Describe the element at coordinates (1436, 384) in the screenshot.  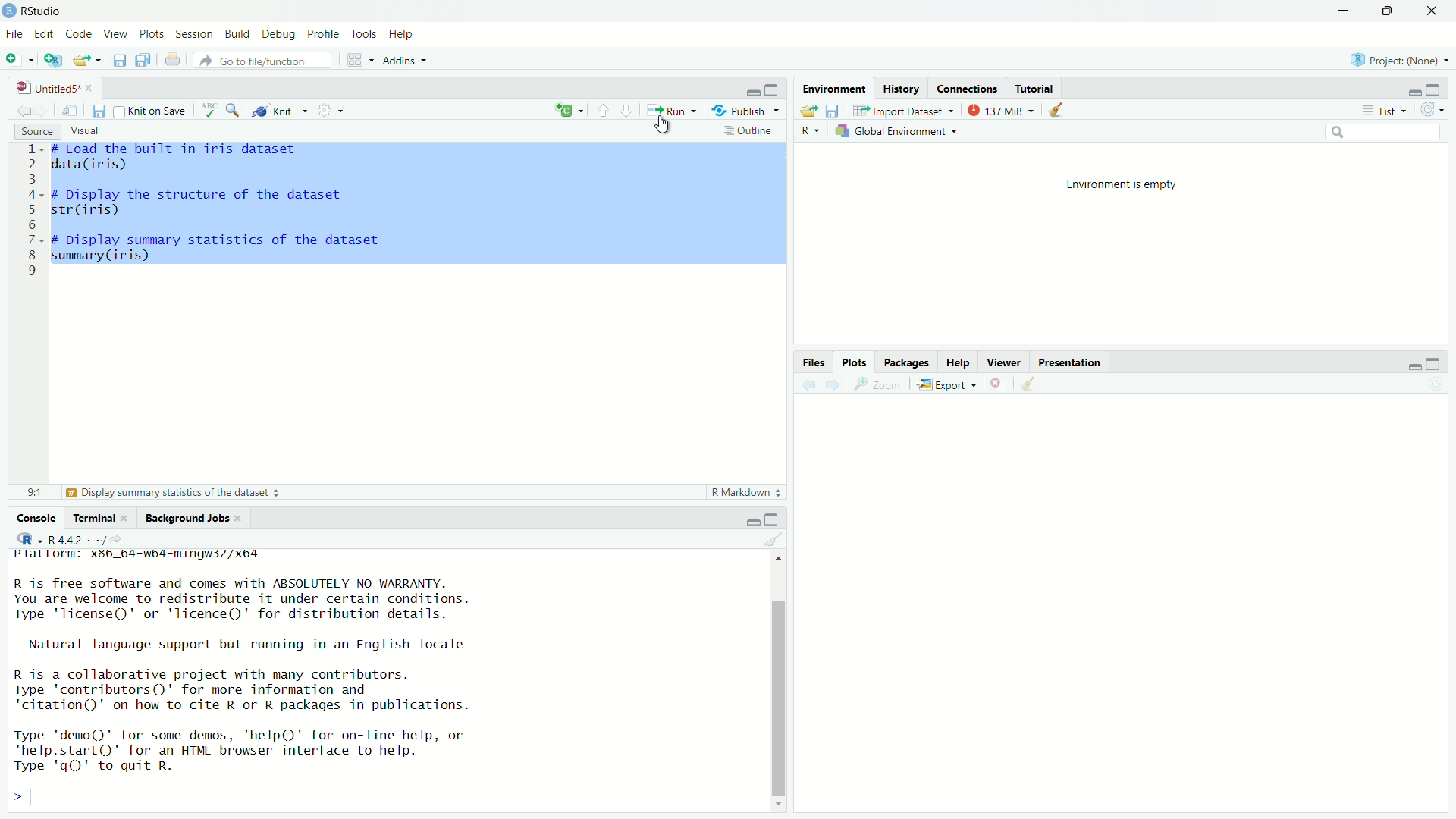
I see `Refresh List` at that location.